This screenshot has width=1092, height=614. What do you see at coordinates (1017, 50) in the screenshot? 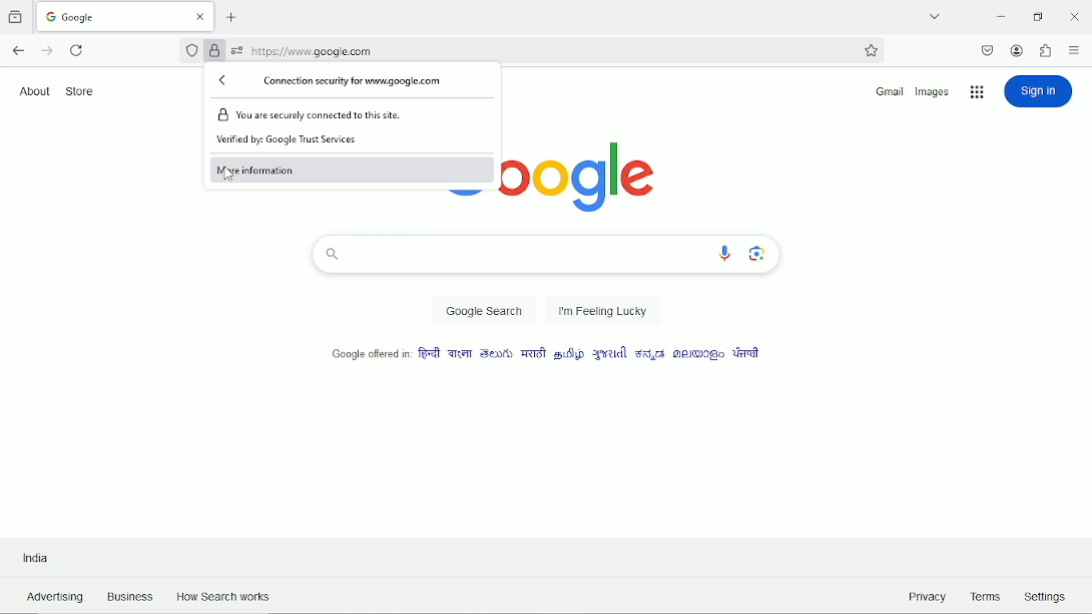
I see `Account` at bounding box center [1017, 50].